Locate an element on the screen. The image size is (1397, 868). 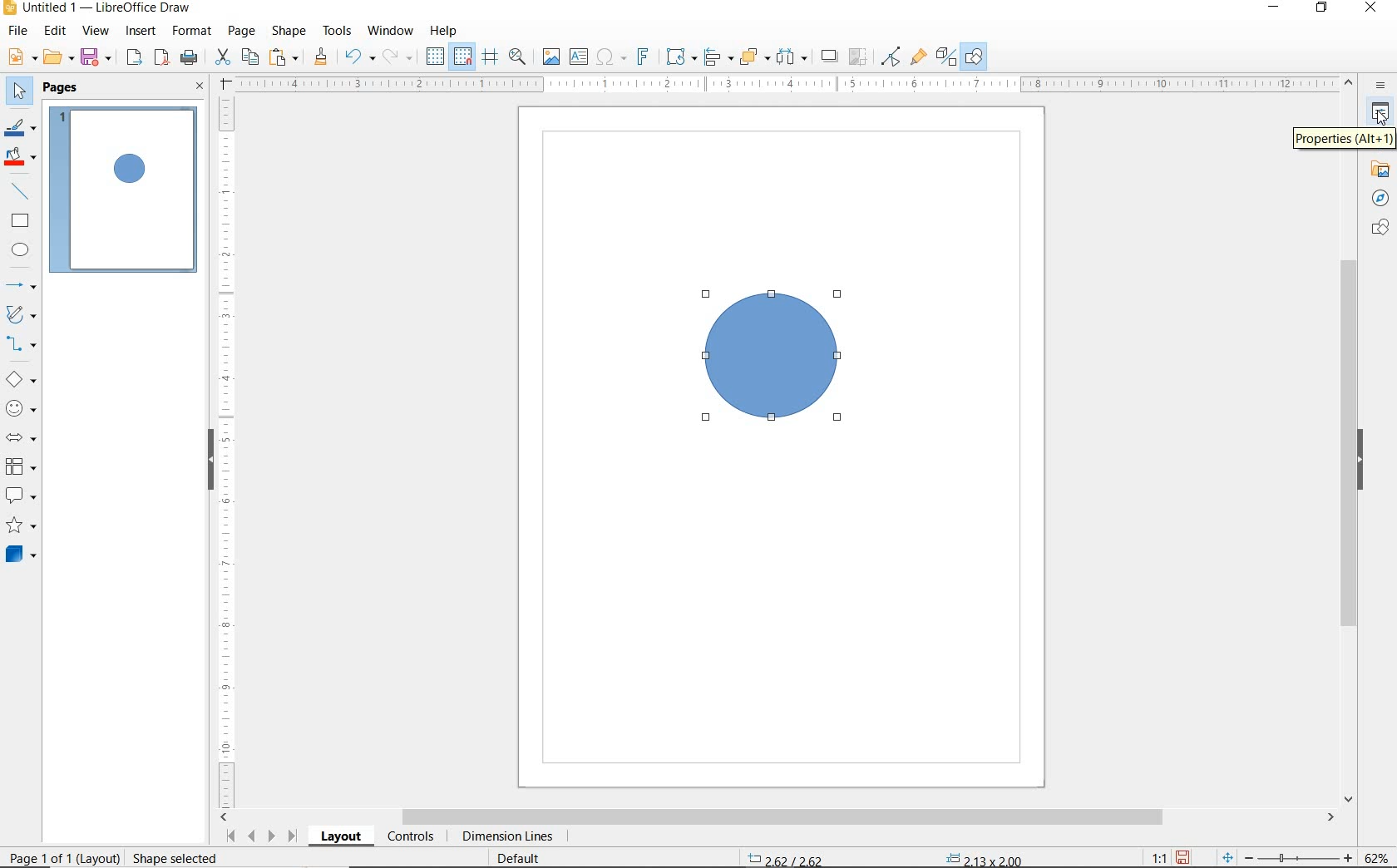
SAVE is located at coordinates (97, 57).